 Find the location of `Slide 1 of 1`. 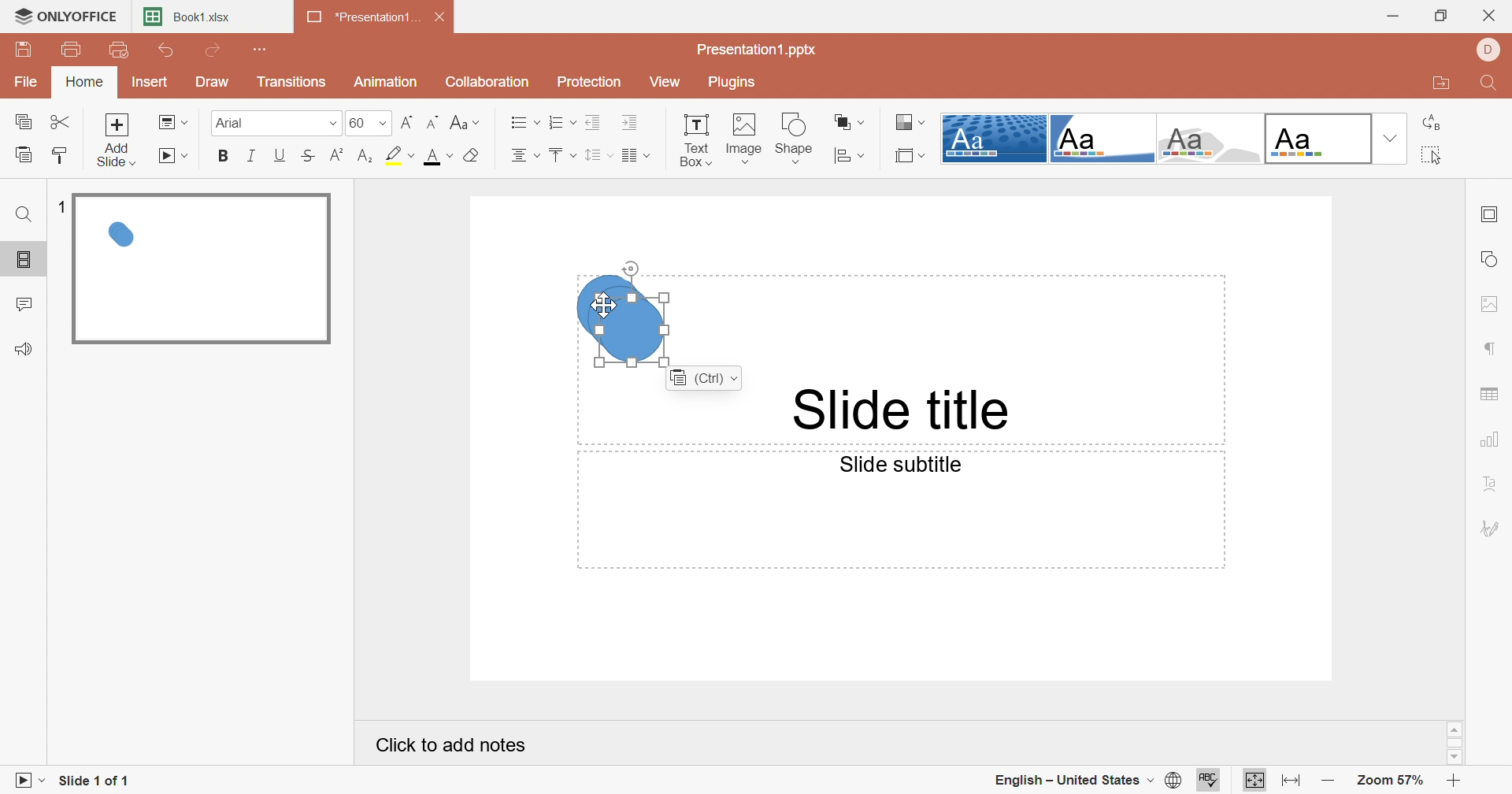

Slide 1 of 1 is located at coordinates (94, 782).